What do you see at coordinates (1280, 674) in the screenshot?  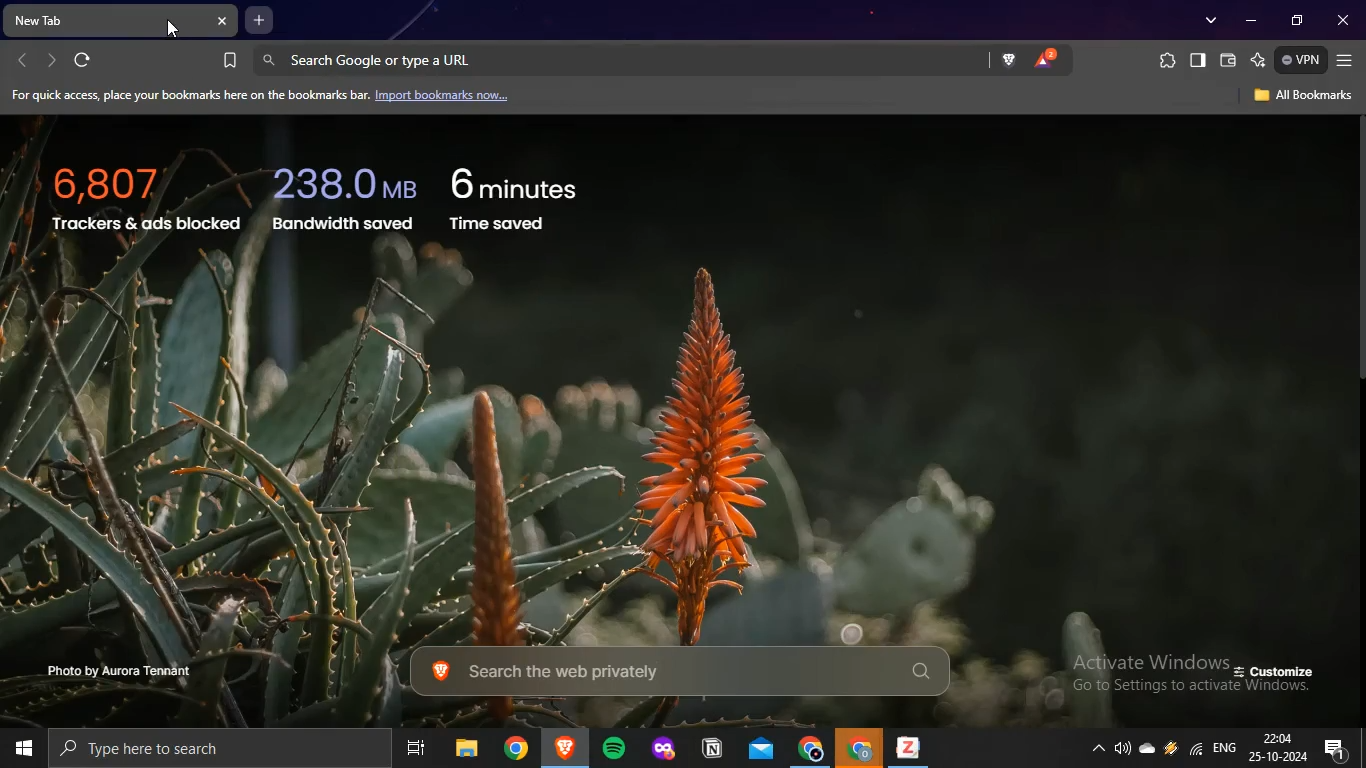 I see `customize` at bounding box center [1280, 674].